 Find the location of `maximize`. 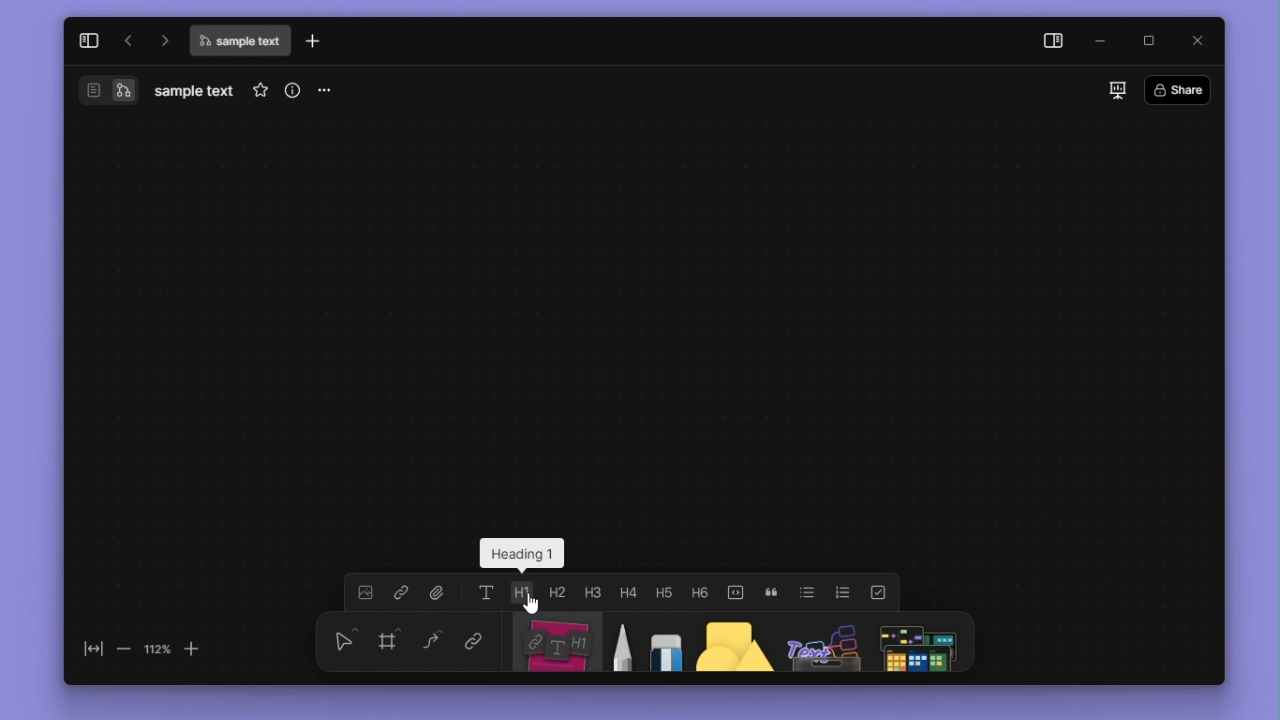

maximize is located at coordinates (1148, 41).